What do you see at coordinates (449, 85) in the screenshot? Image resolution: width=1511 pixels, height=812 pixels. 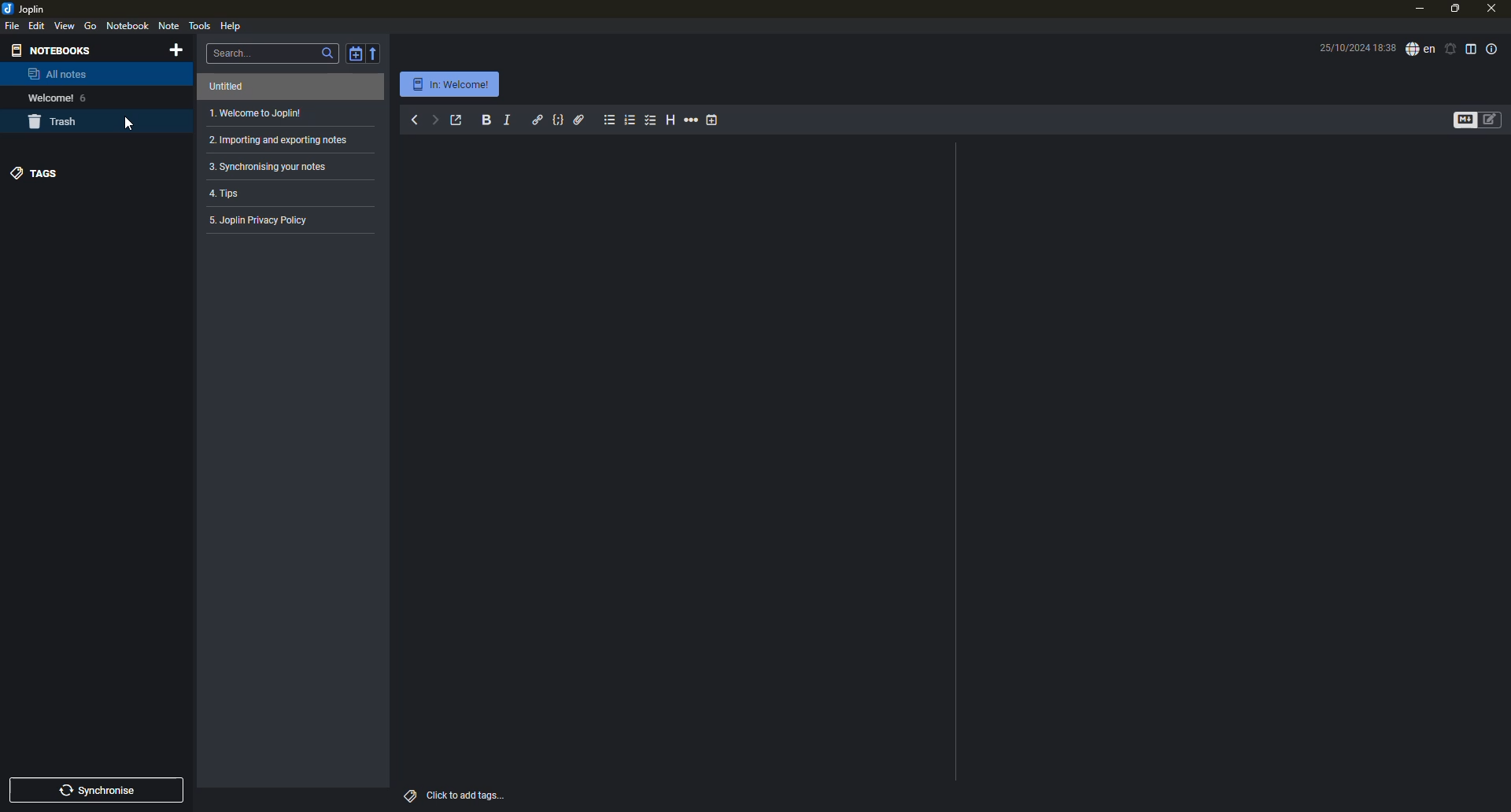 I see `In: welcome!` at bounding box center [449, 85].